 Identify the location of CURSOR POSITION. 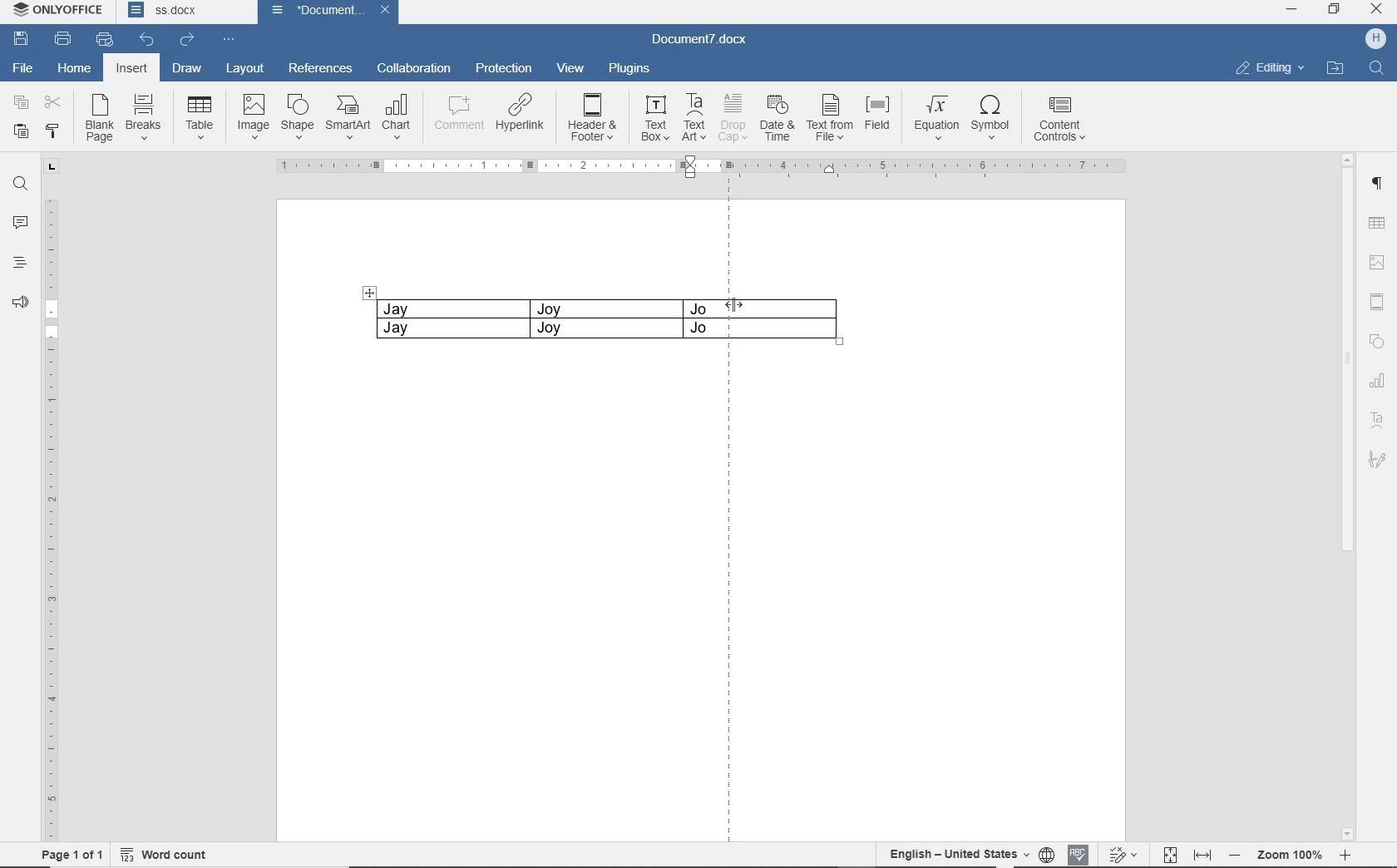
(733, 305).